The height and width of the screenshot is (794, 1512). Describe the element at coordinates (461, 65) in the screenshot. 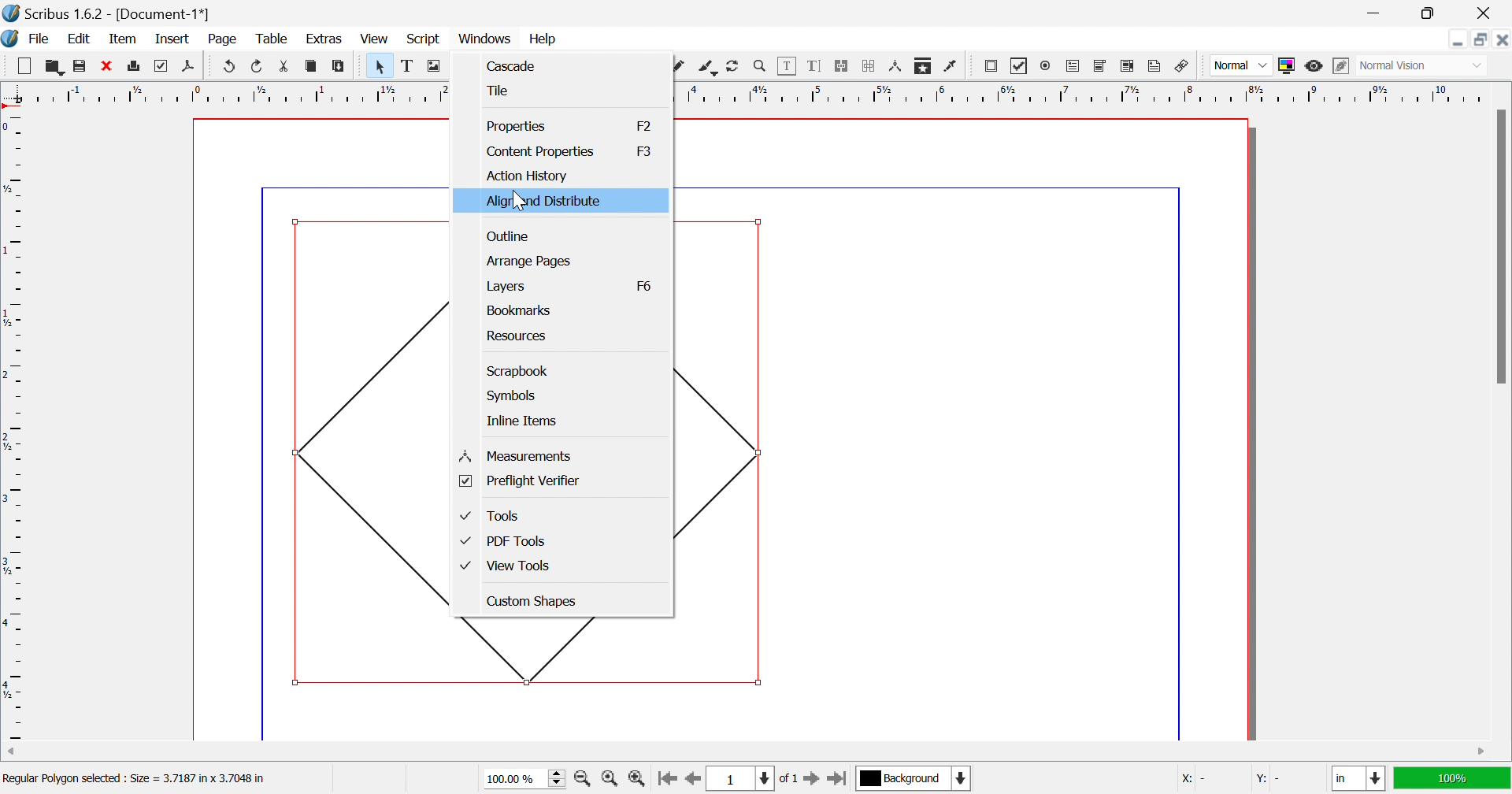

I see `Render frame` at that location.